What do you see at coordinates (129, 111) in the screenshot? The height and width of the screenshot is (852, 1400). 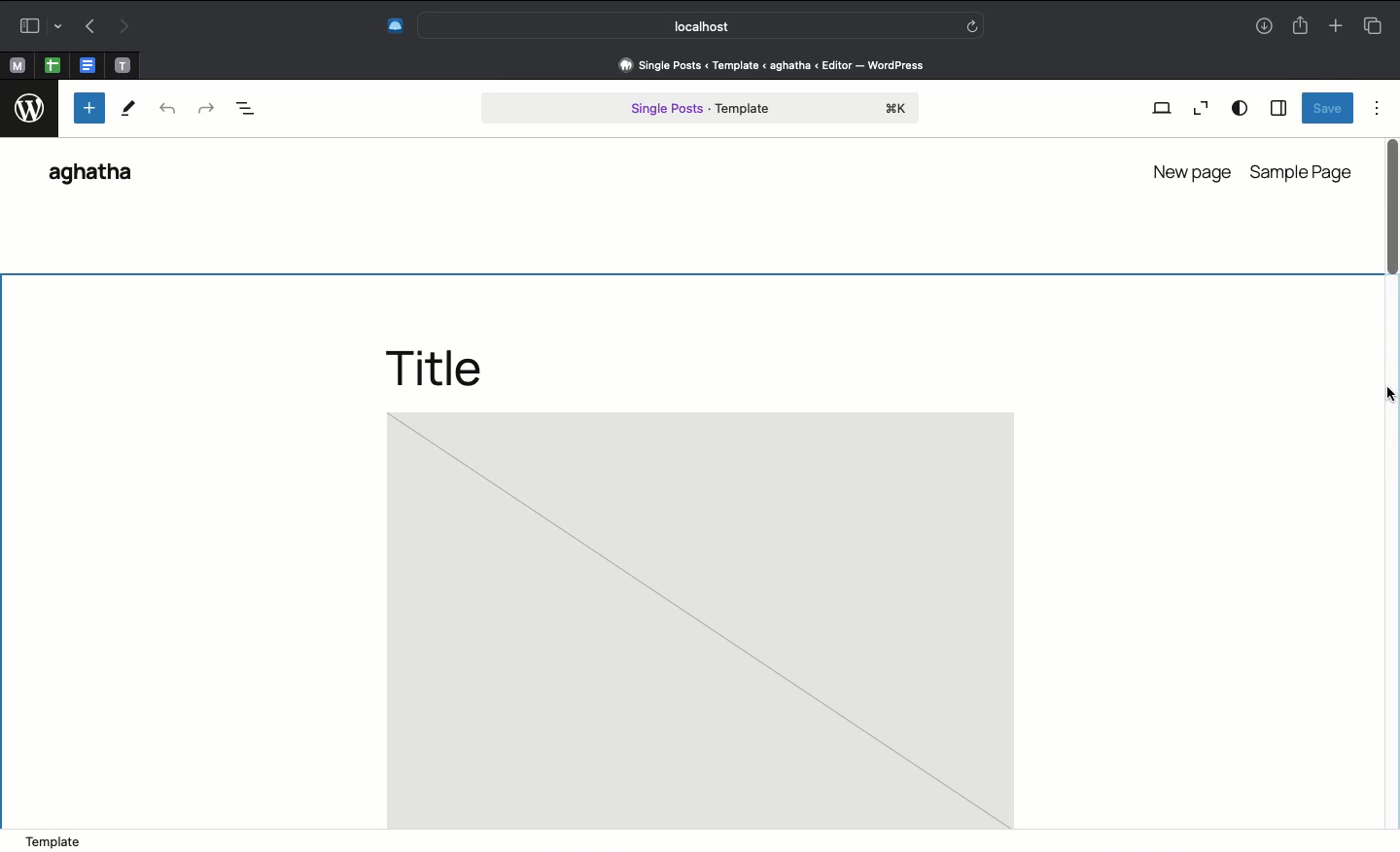 I see `Tools` at bounding box center [129, 111].